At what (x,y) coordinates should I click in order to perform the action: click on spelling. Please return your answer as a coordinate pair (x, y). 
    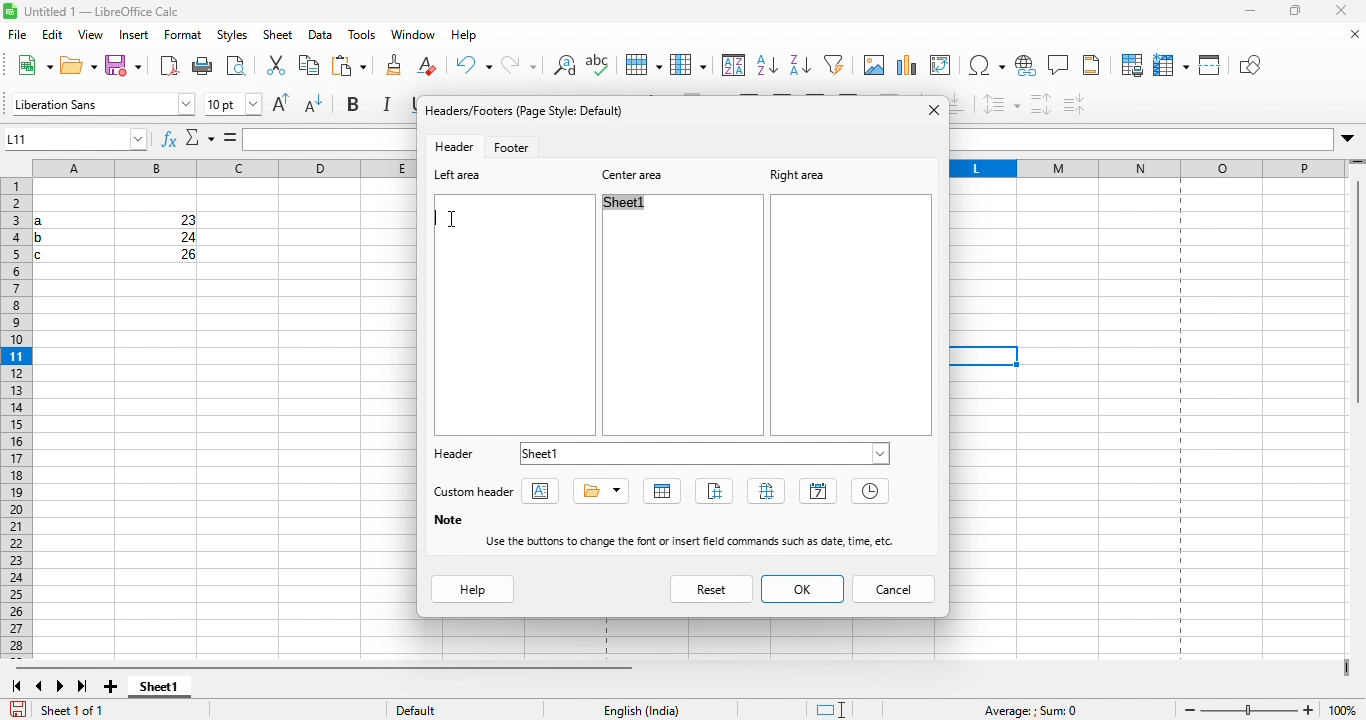
    Looking at the image, I should click on (561, 69).